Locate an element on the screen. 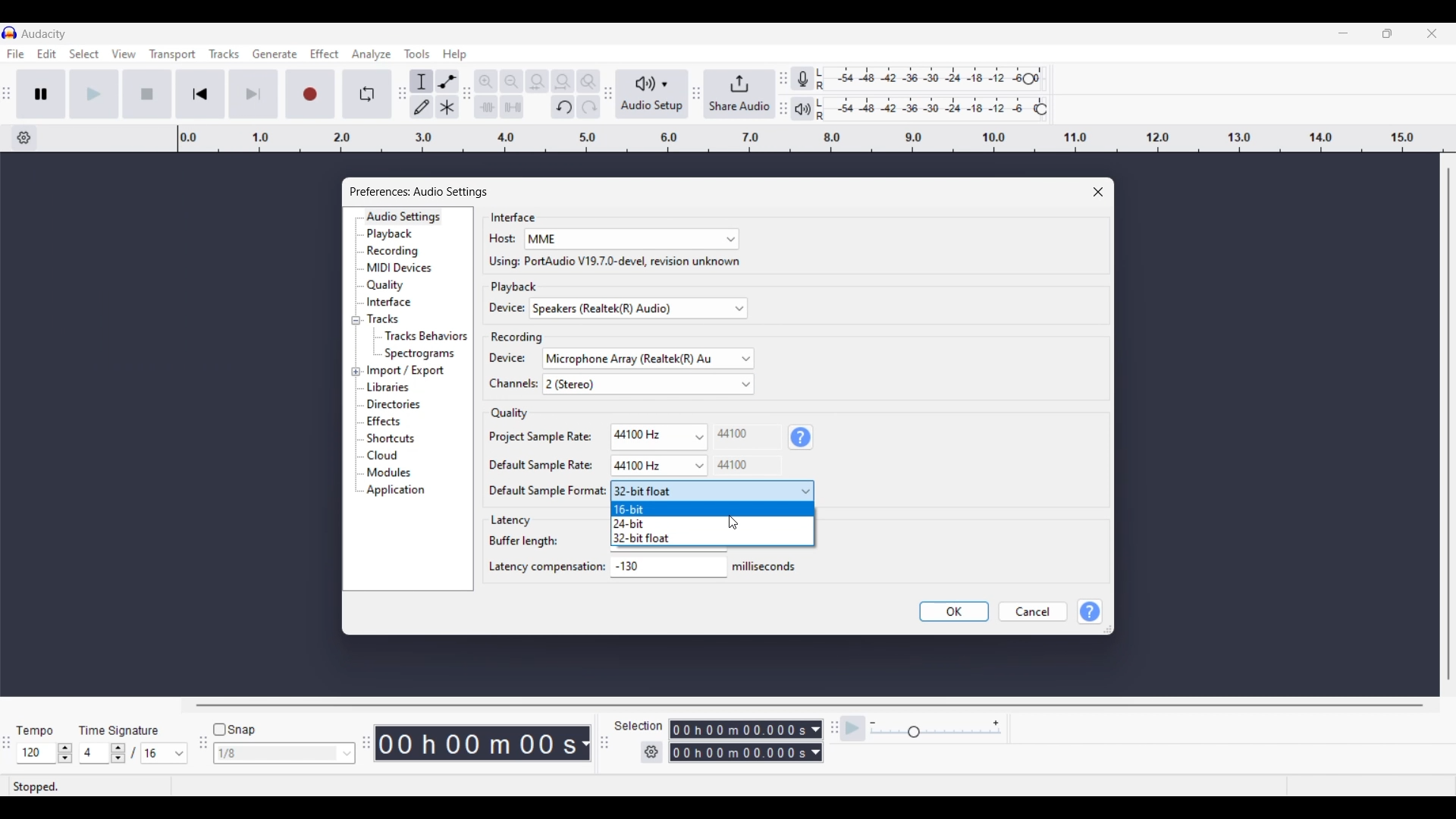 The image size is (1456, 819). Multitool is located at coordinates (447, 108).